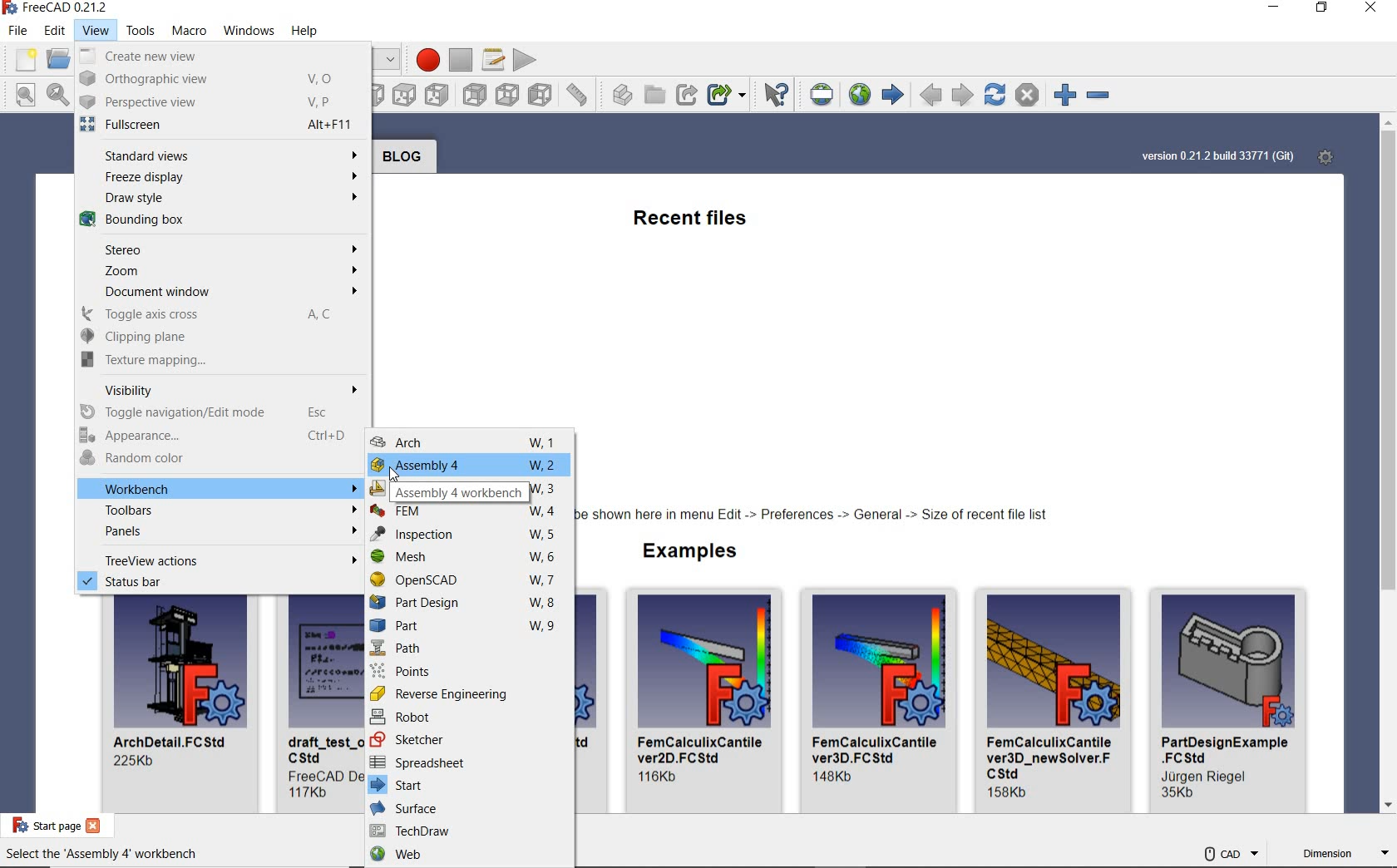 The height and width of the screenshot is (868, 1397). What do you see at coordinates (21, 33) in the screenshot?
I see `file` at bounding box center [21, 33].